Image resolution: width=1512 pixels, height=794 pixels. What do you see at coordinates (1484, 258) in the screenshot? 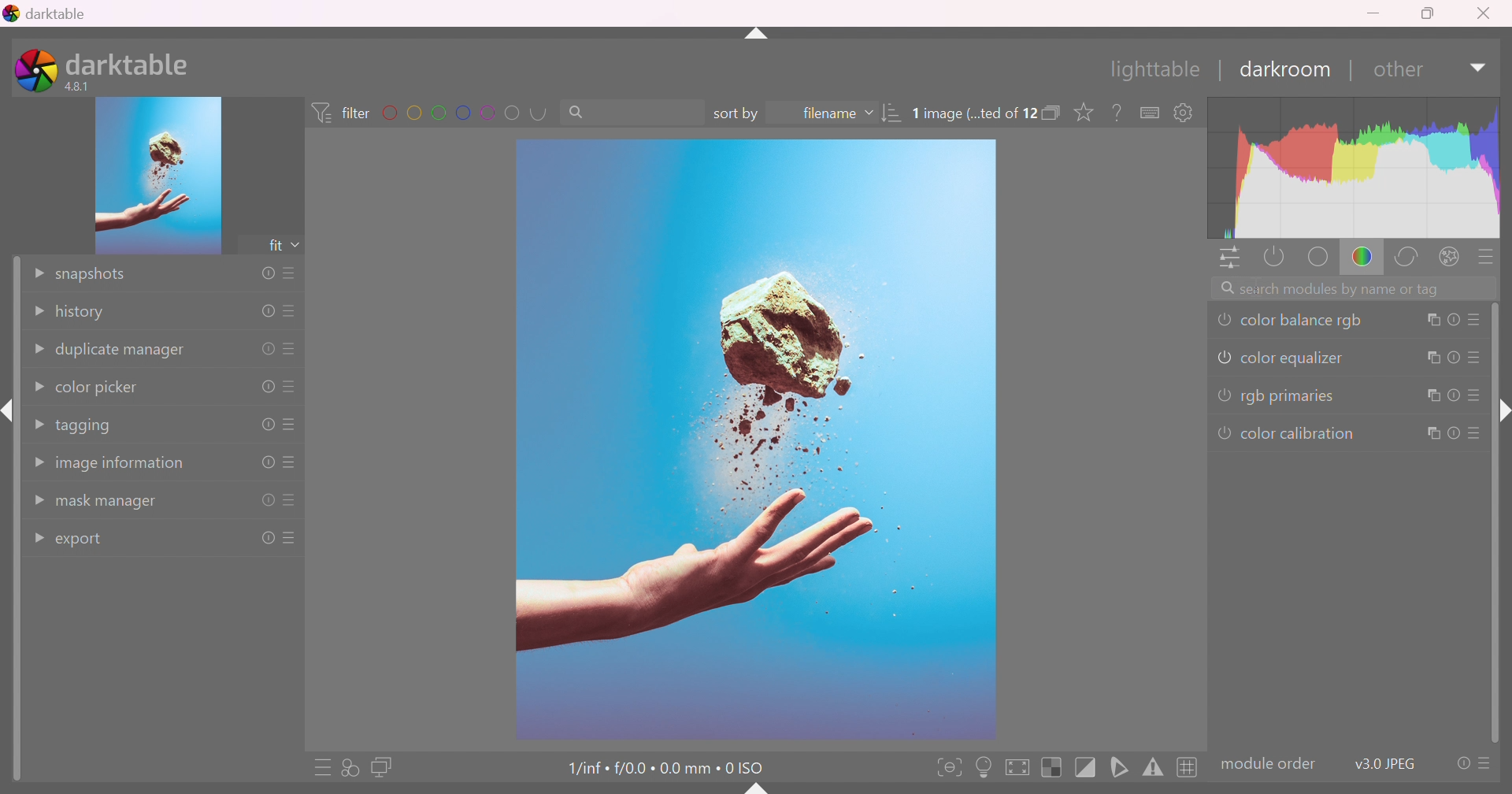
I see `presets` at bounding box center [1484, 258].